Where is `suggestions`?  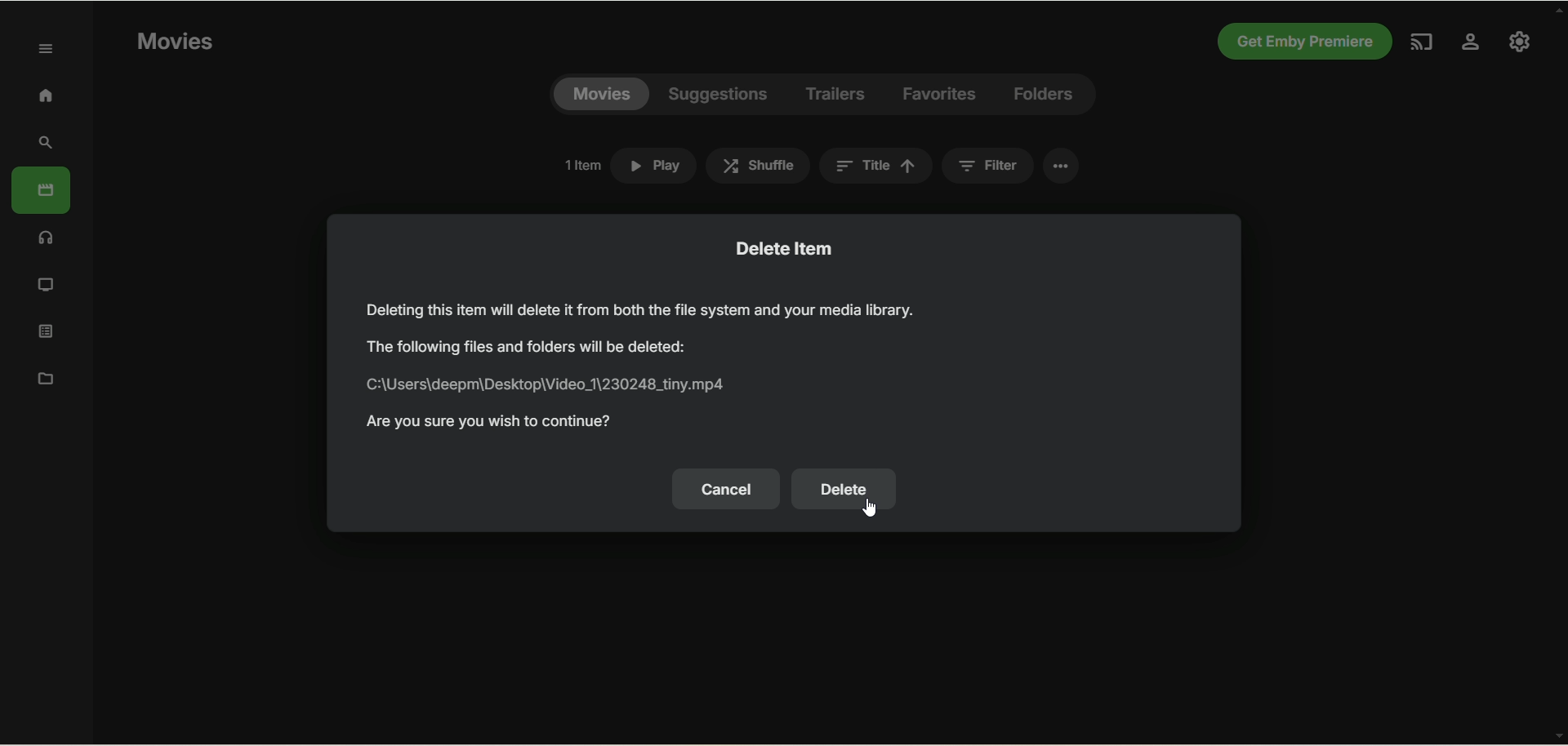 suggestions is located at coordinates (719, 95).